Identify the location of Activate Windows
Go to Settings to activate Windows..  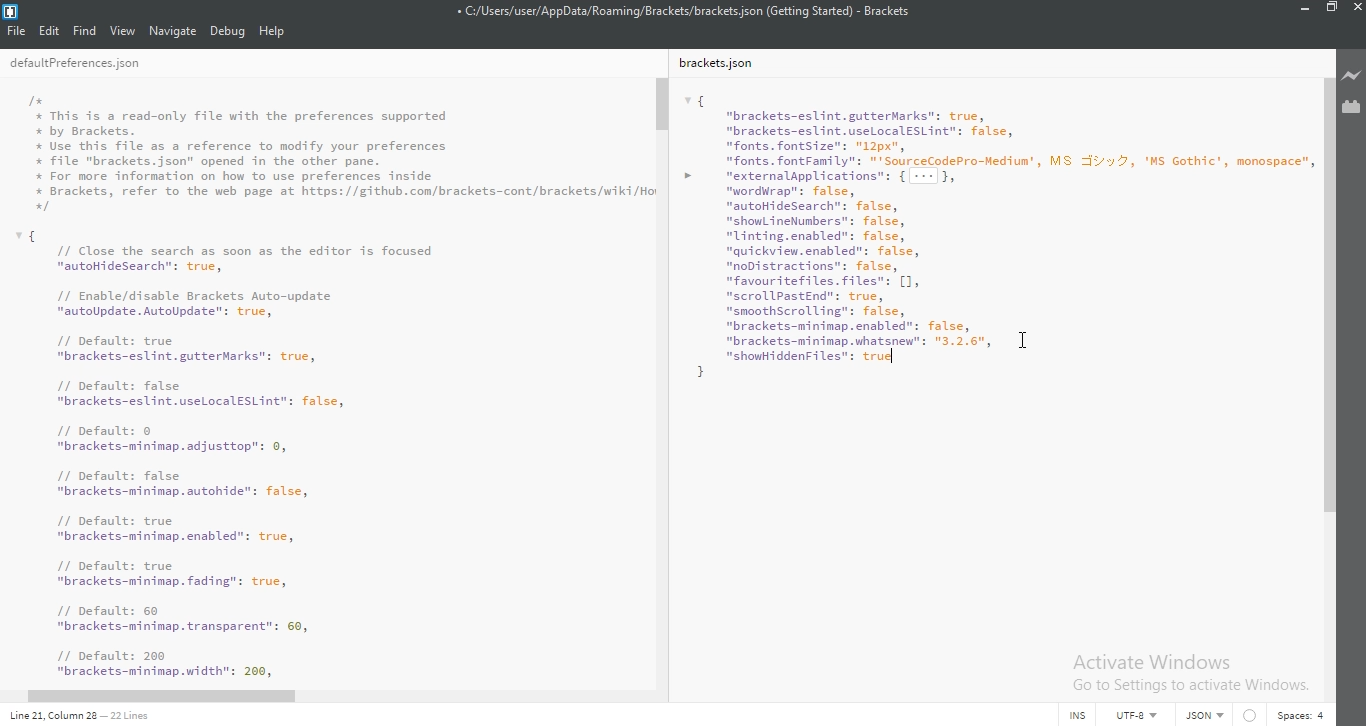
(1190, 671).